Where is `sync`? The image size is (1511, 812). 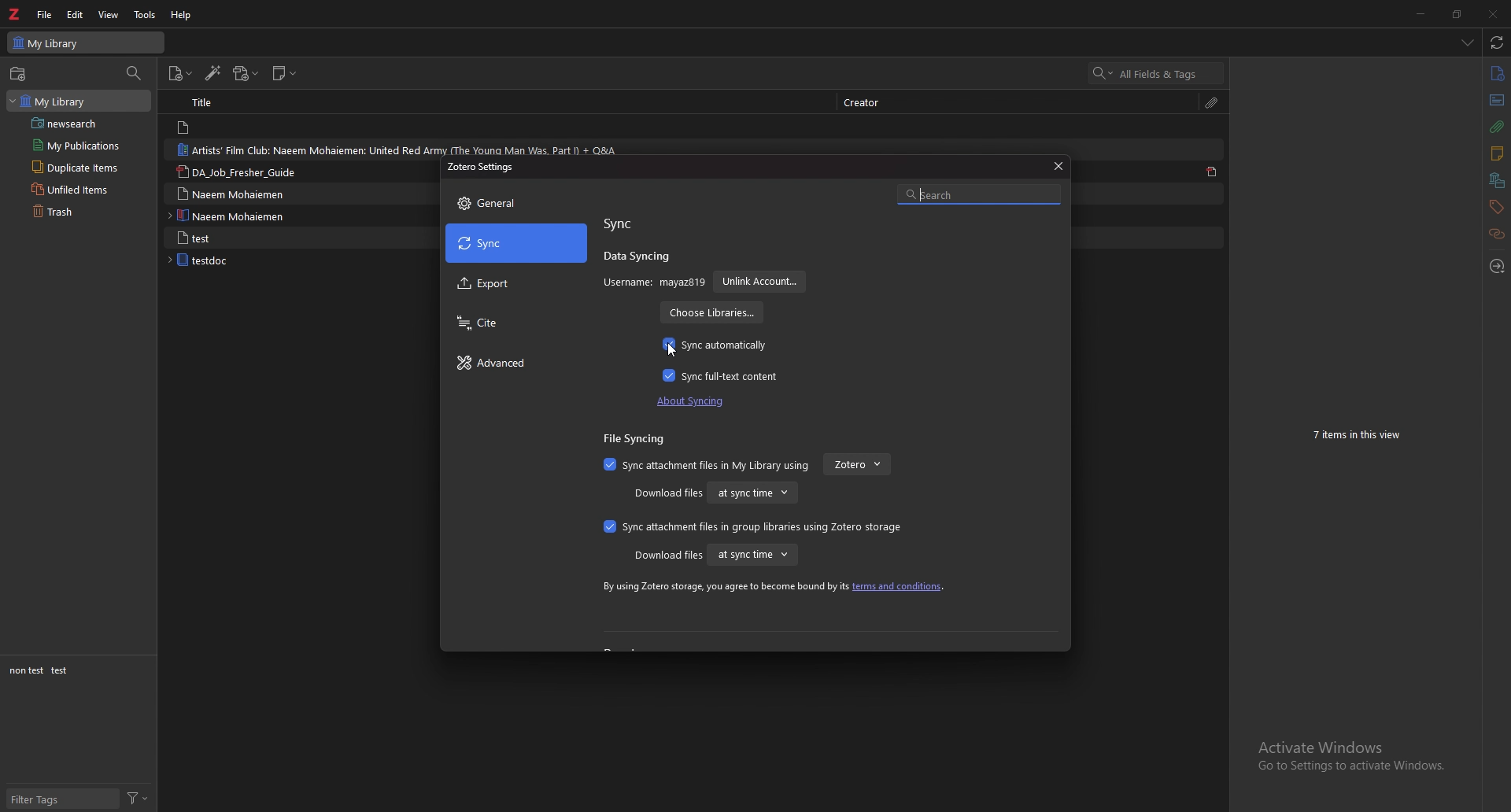
sync is located at coordinates (622, 224).